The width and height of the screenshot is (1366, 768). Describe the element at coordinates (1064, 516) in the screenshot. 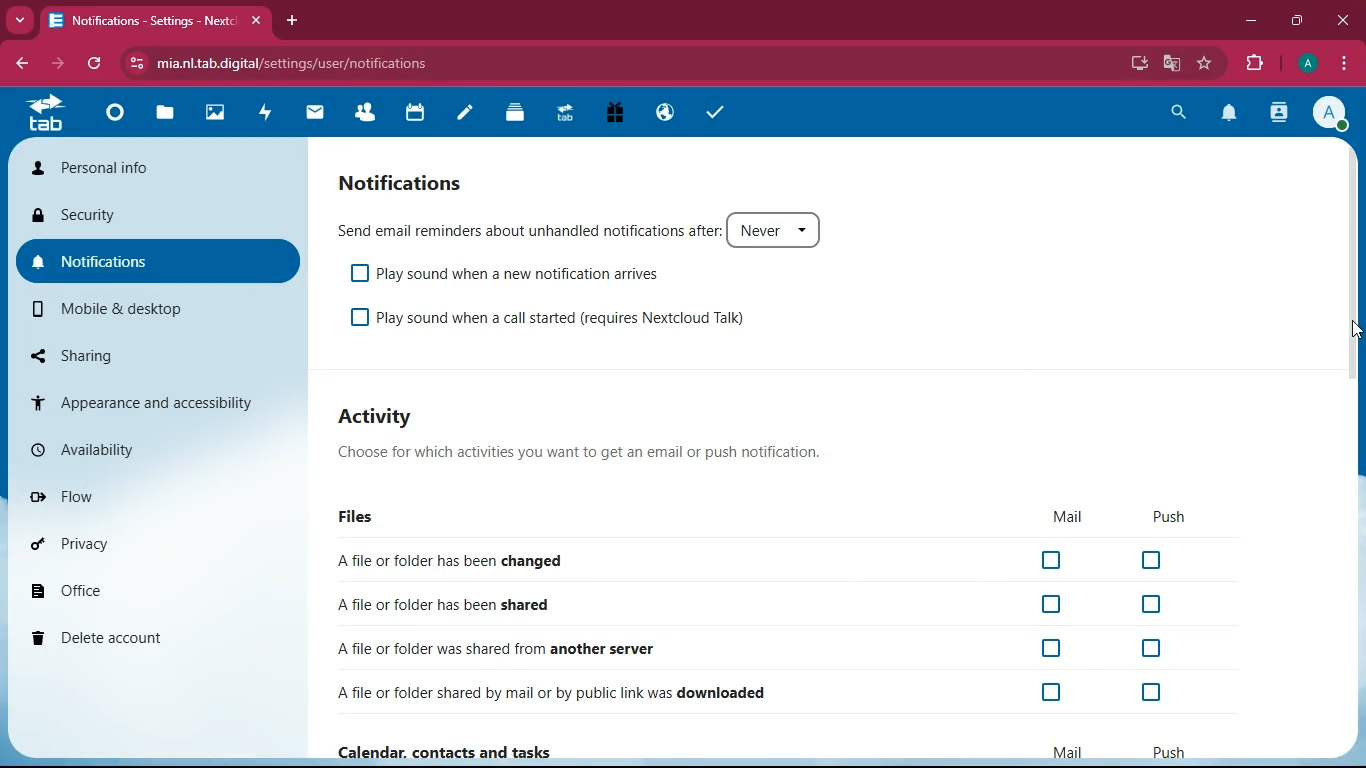

I see `mail` at that location.